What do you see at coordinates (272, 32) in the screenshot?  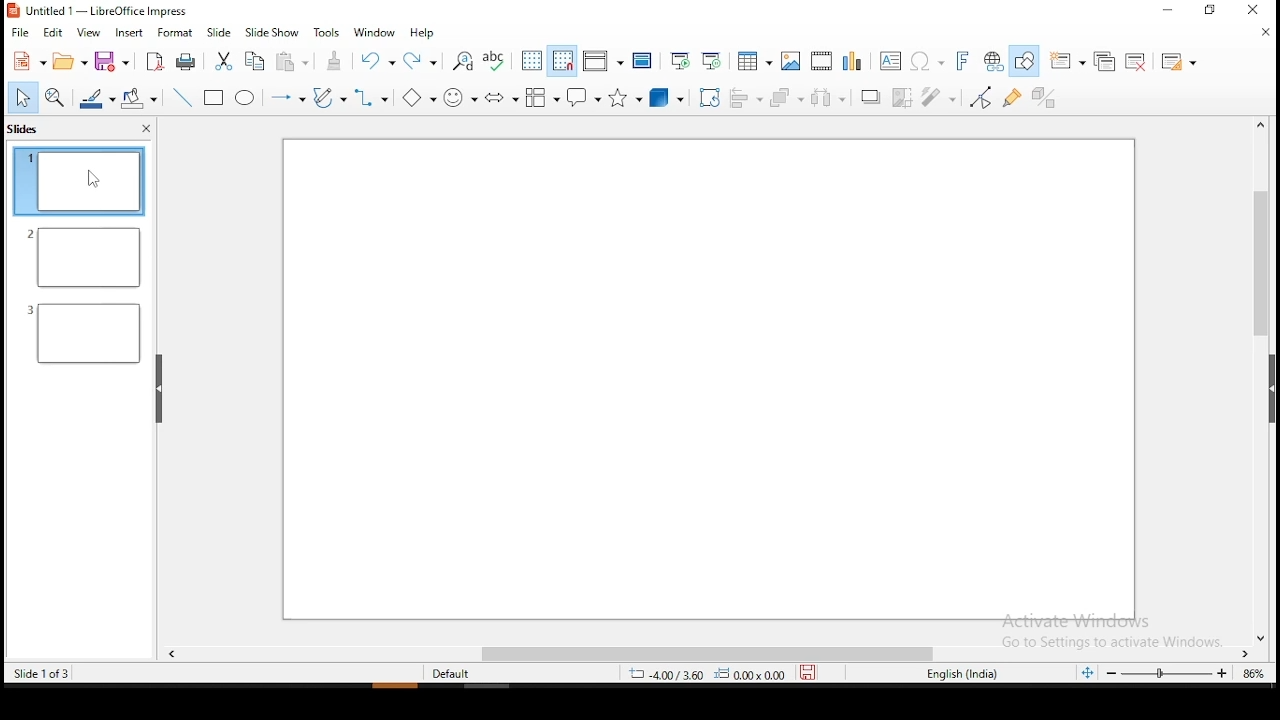 I see `slide show` at bounding box center [272, 32].